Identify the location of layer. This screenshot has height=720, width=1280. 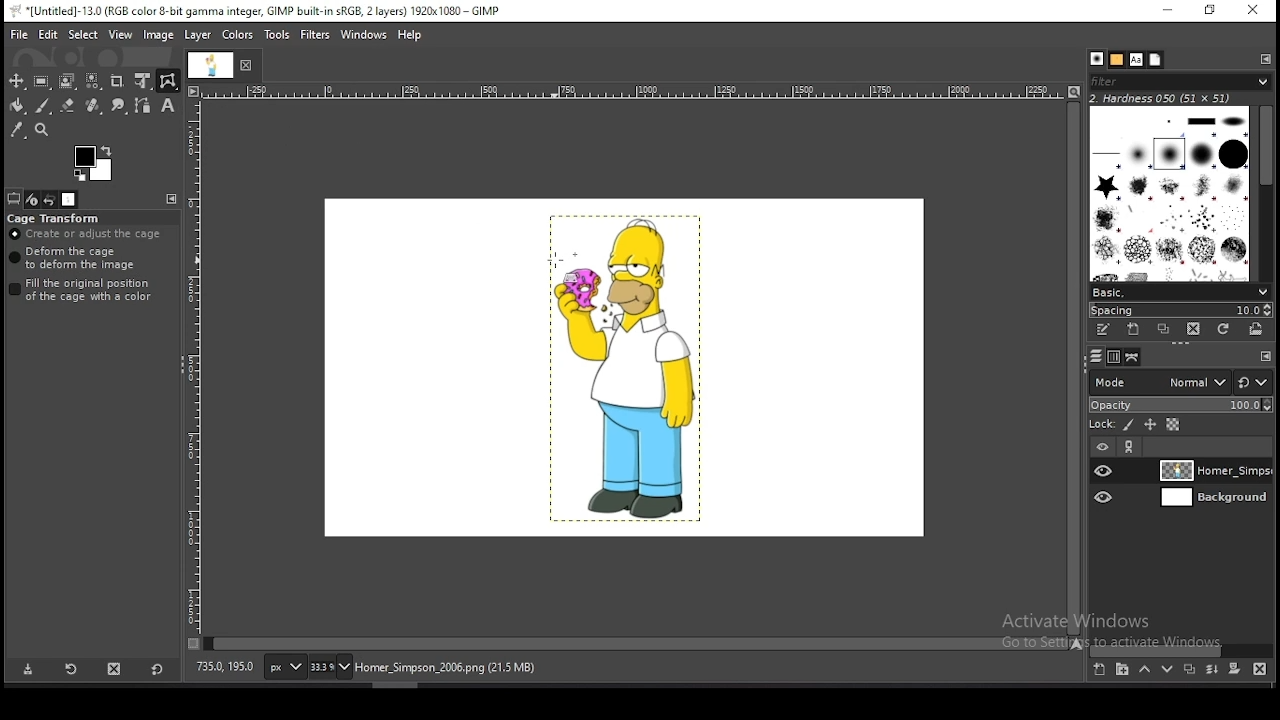
(1213, 471).